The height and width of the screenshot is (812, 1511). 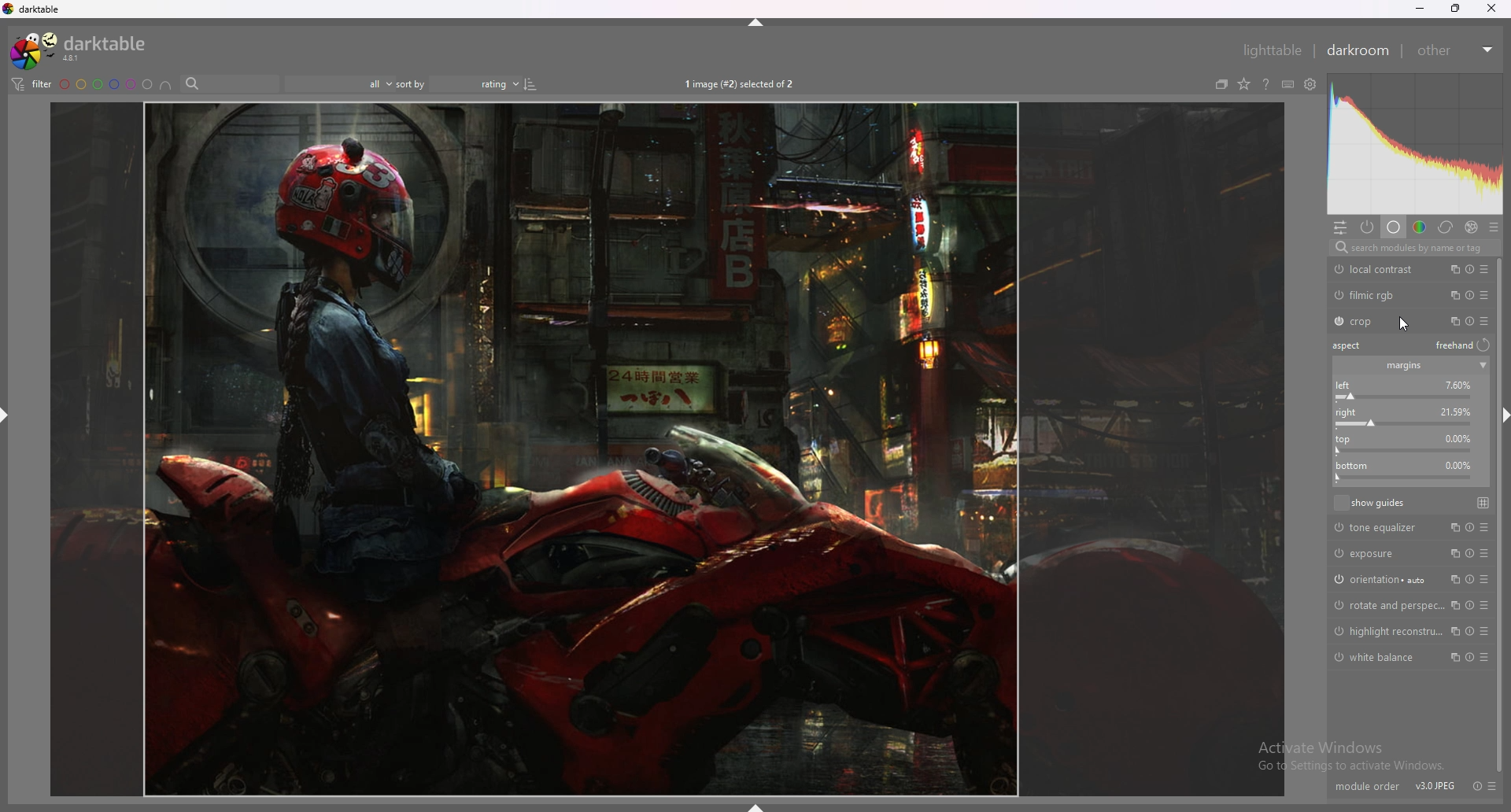 I want to click on presets, so click(x=1487, y=631).